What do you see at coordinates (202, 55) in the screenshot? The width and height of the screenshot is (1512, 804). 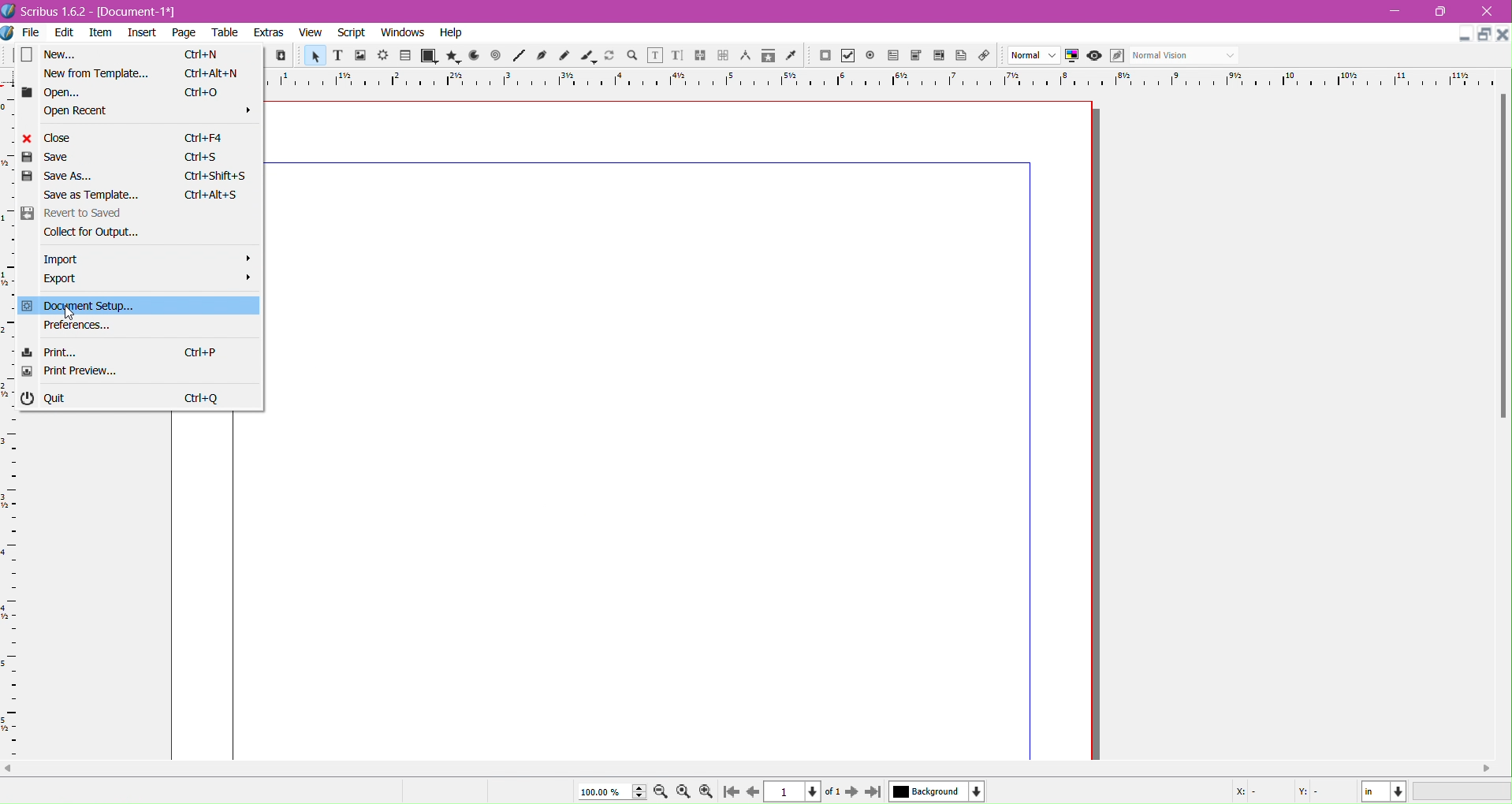 I see `keyboard shortcut` at bounding box center [202, 55].